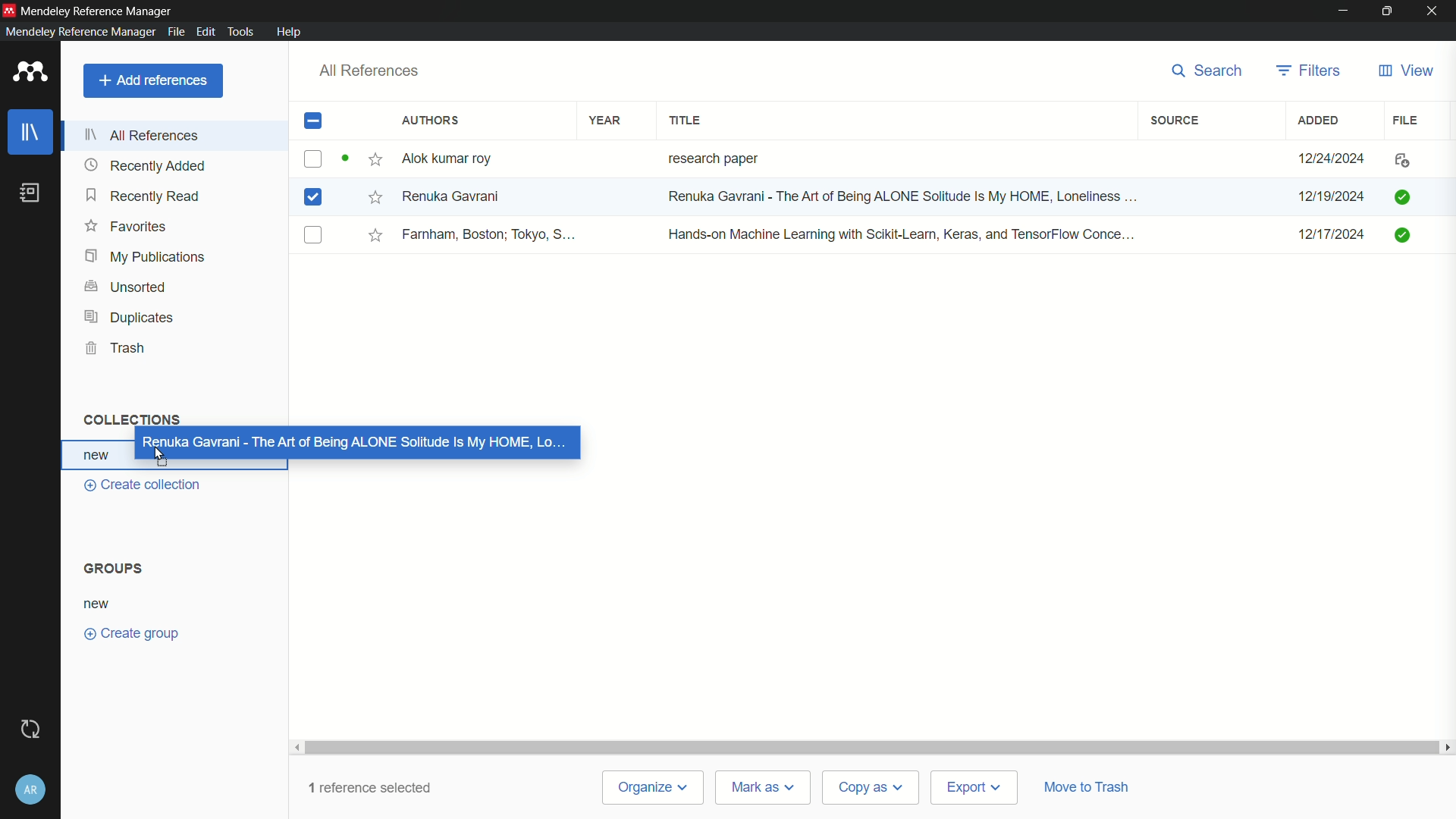  Describe the element at coordinates (311, 199) in the screenshot. I see `Checkbox` at that location.